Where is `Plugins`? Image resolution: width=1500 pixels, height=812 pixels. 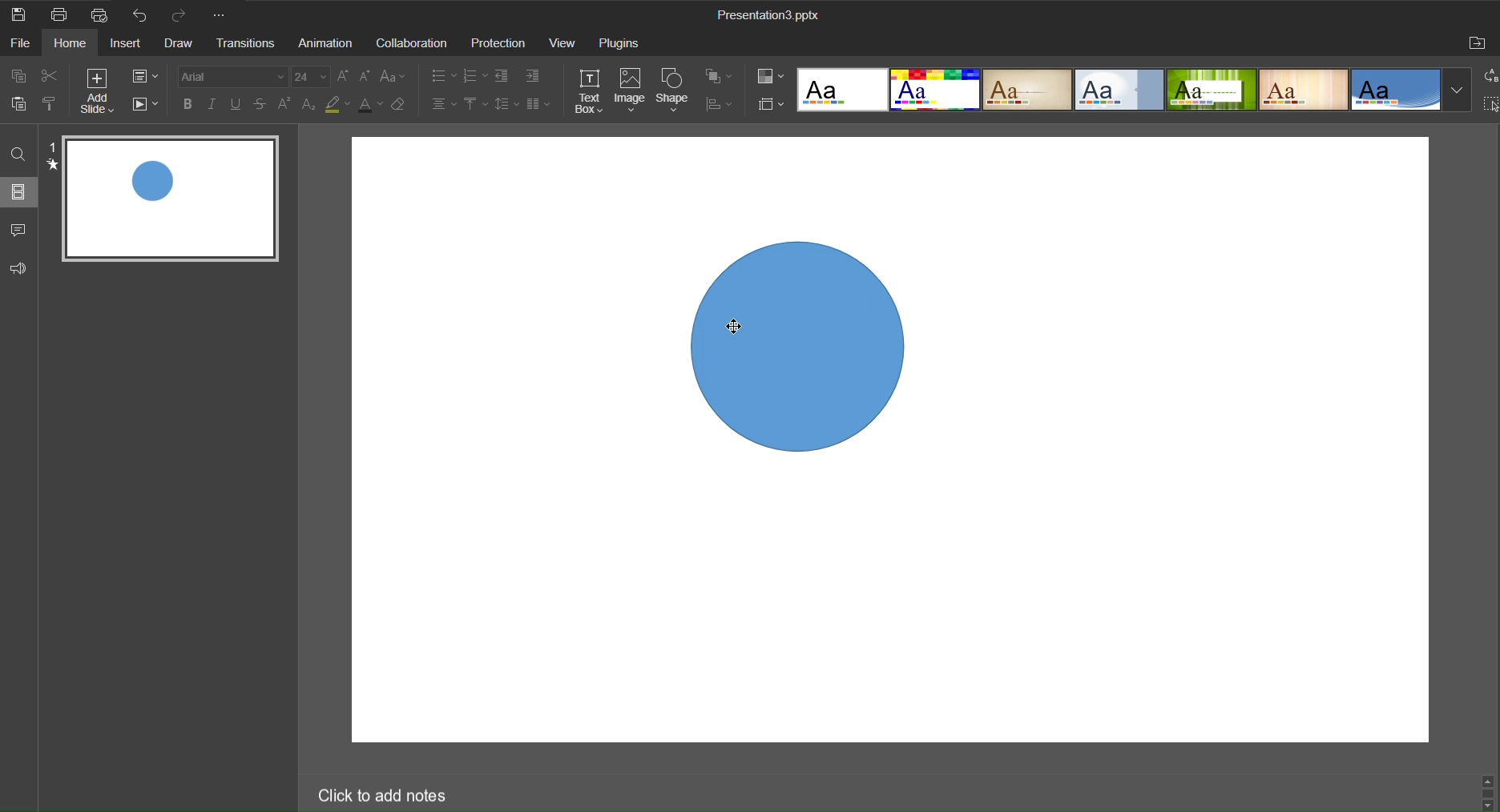
Plugins is located at coordinates (616, 44).